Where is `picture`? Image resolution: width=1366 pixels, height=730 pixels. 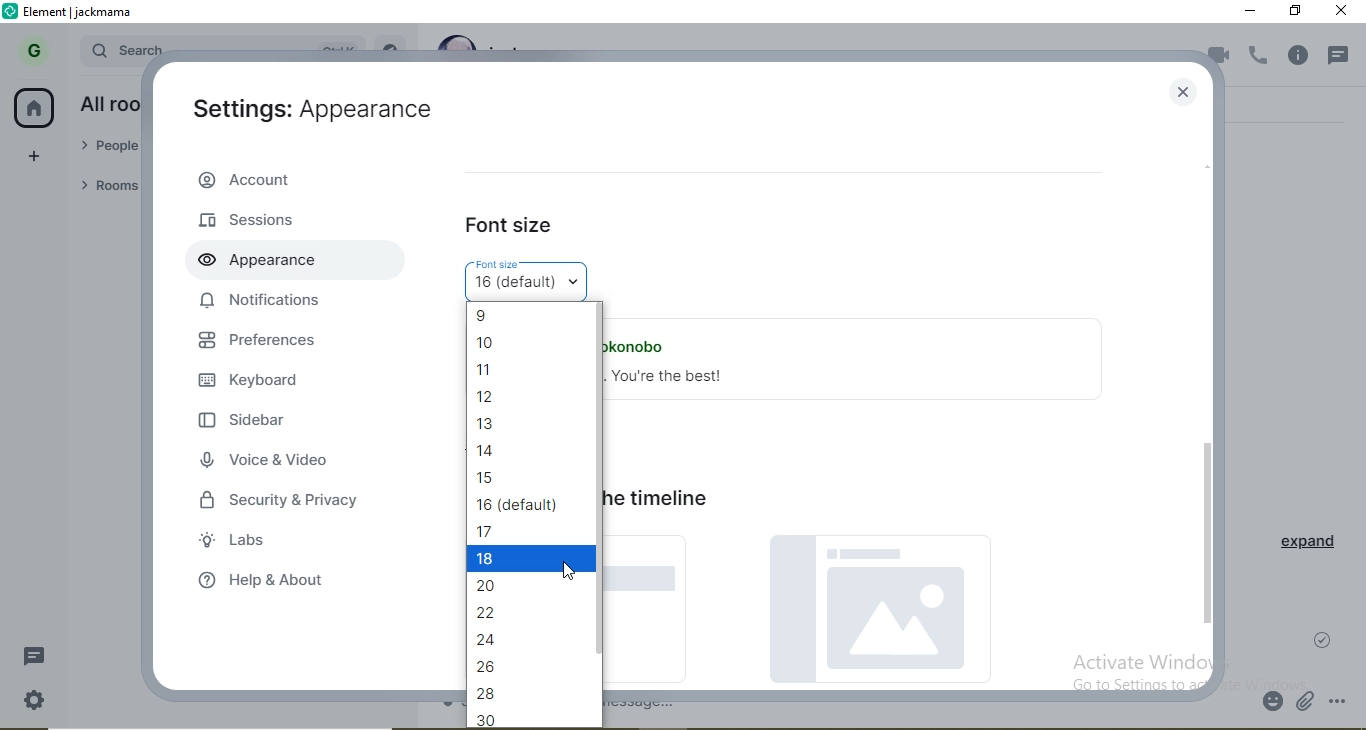
picture is located at coordinates (820, 613).